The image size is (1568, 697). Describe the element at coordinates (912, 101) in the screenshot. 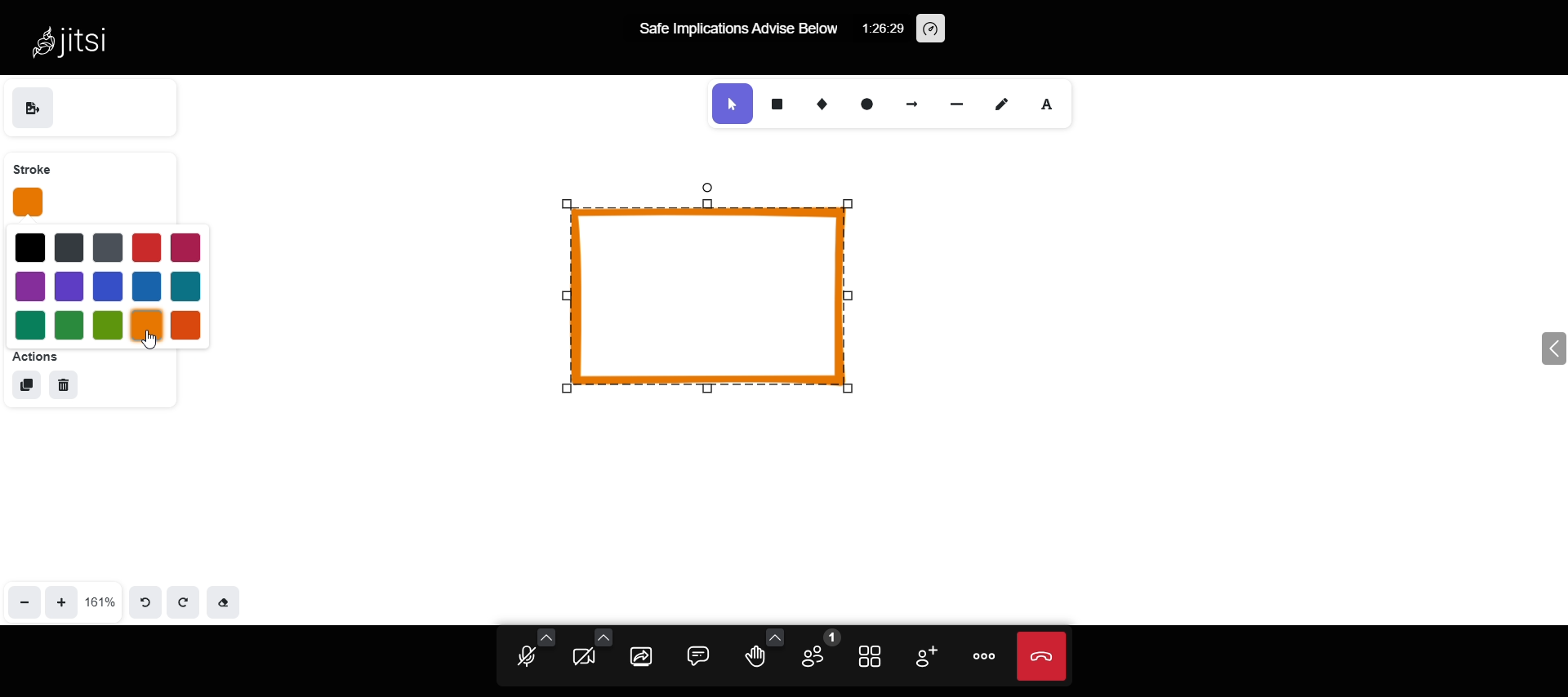

I see `arrow` at that location.